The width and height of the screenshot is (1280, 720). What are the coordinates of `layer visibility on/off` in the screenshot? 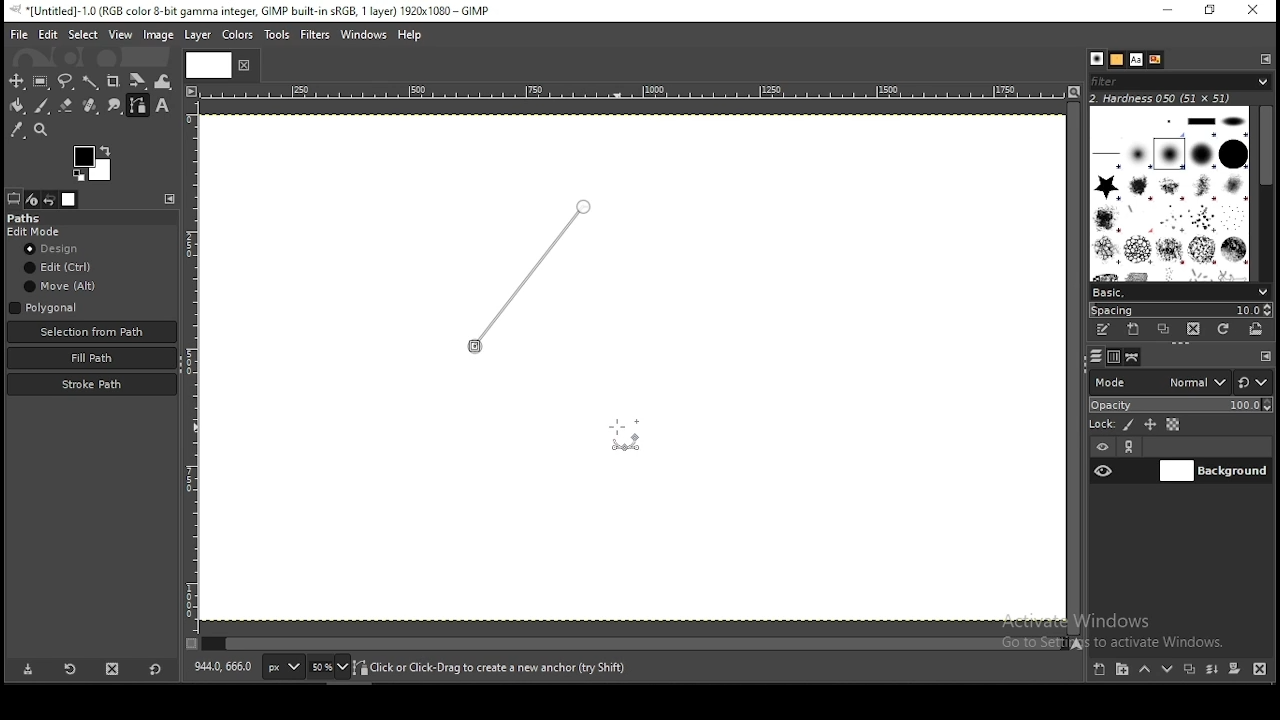 It's located at (1104, 470).